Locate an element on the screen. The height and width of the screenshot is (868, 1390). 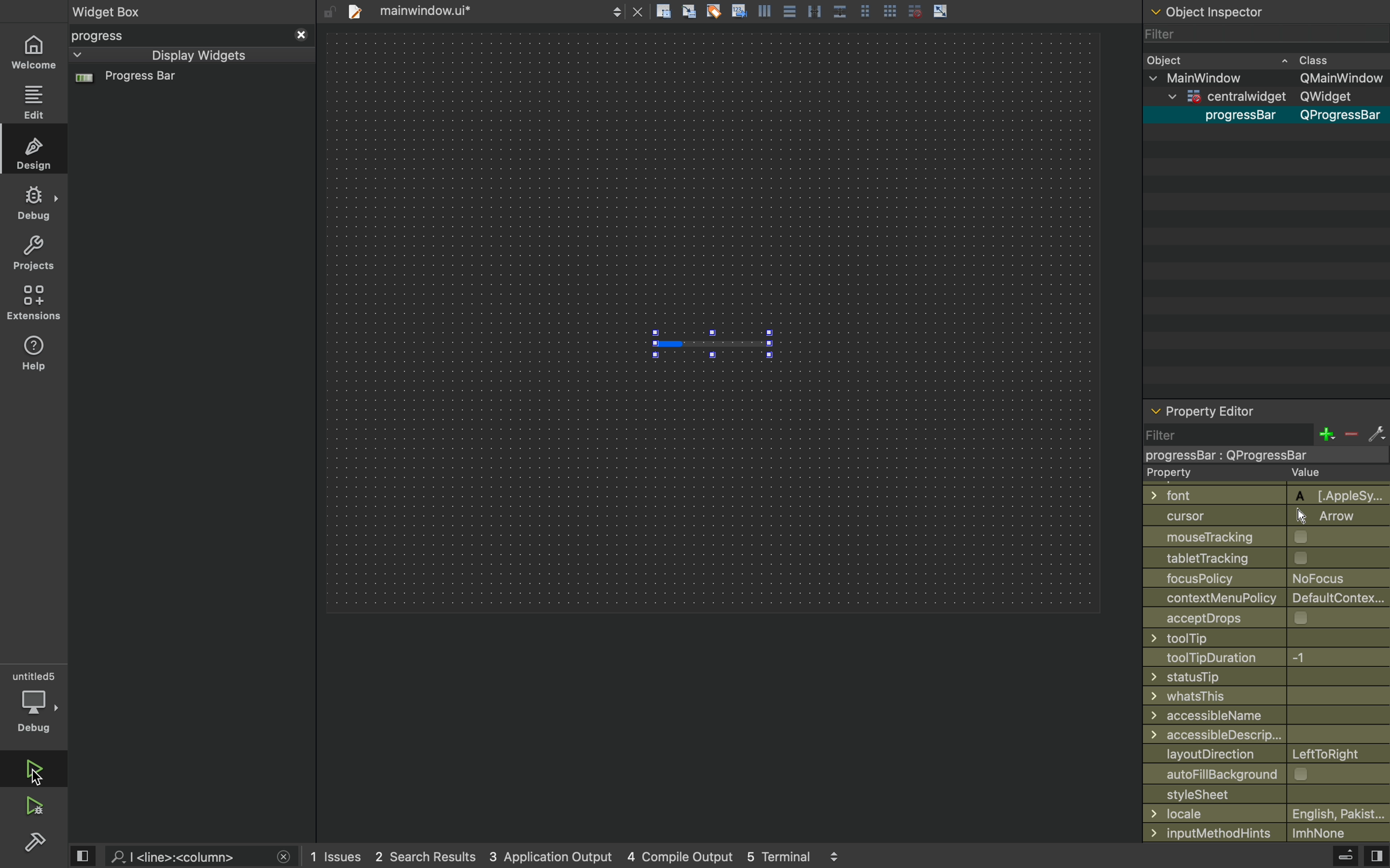
accessible descrip is located at coordinates (1251, 735).